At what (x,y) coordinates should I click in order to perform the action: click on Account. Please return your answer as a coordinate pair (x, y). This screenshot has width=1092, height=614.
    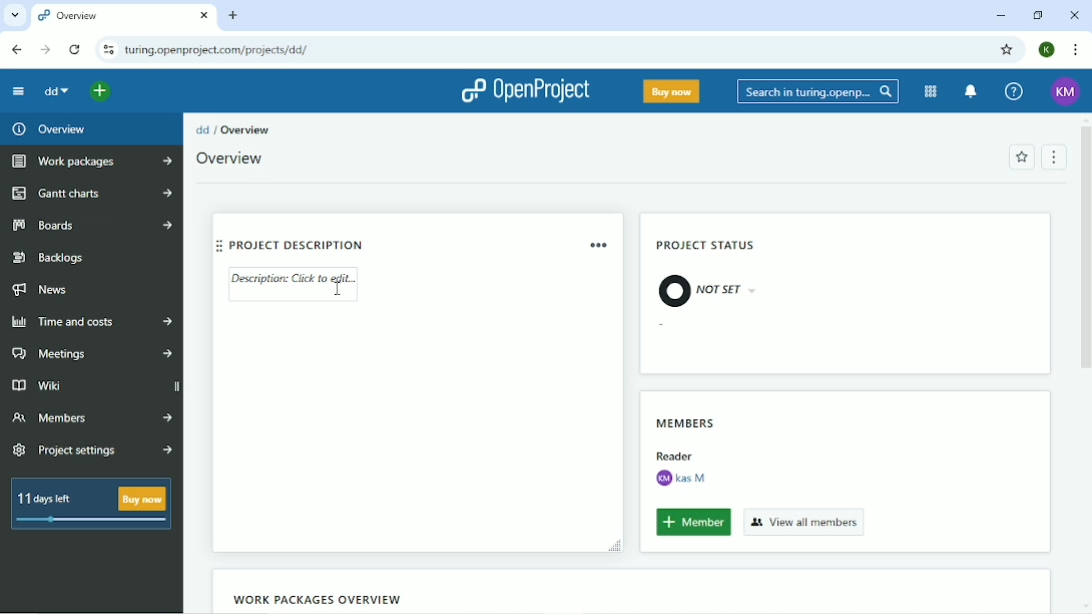
    Looking at the image, I should click on (1046, 49).